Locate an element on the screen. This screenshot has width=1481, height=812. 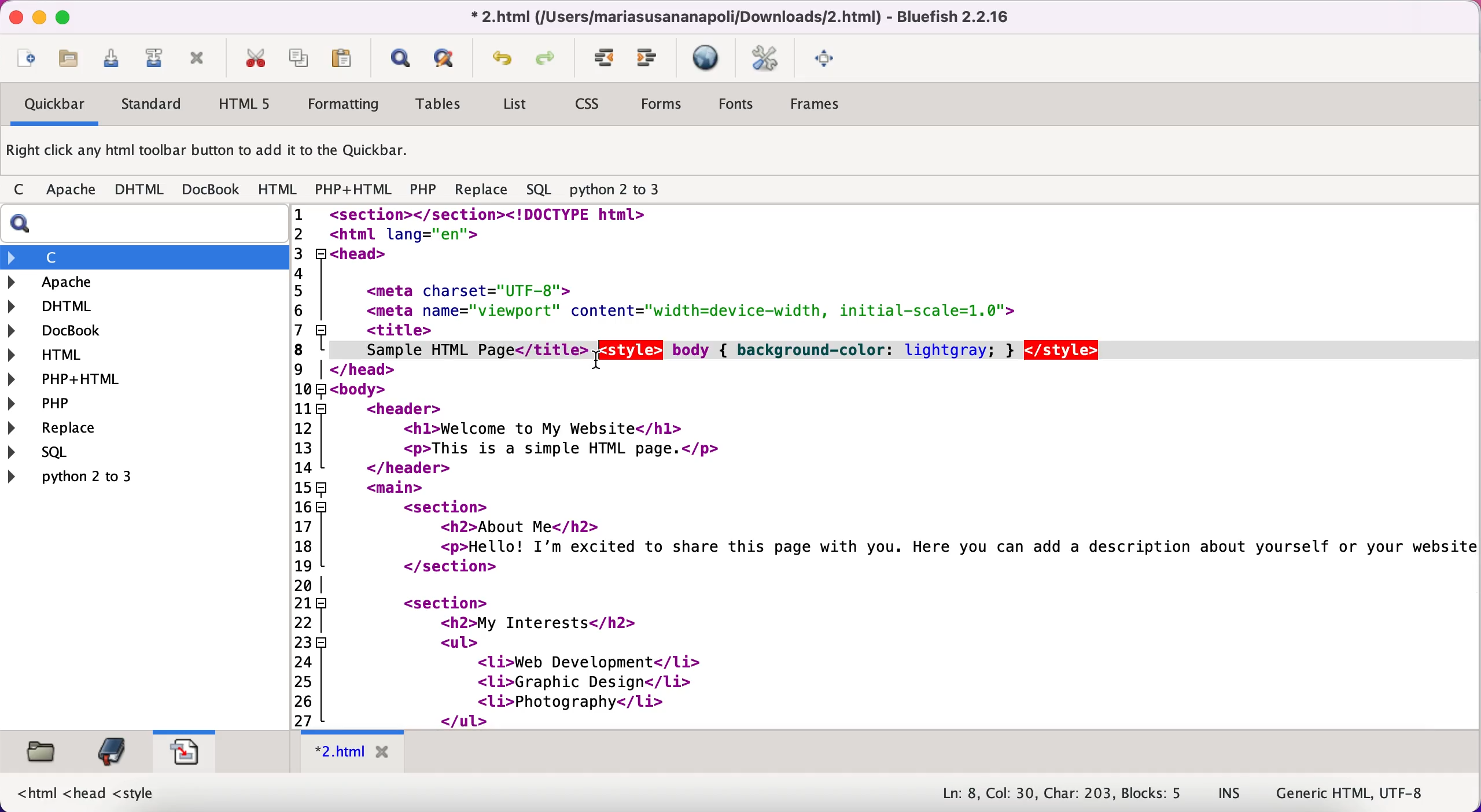
Html code to create a website. It talks about "This is my website" in the header. In the <main> section it says "Hello! I am excited to share this page with you." It also lists different interests under "My interests" and provides the html code for designing the entire structure of the website.  is located at coordinates (906, 466).